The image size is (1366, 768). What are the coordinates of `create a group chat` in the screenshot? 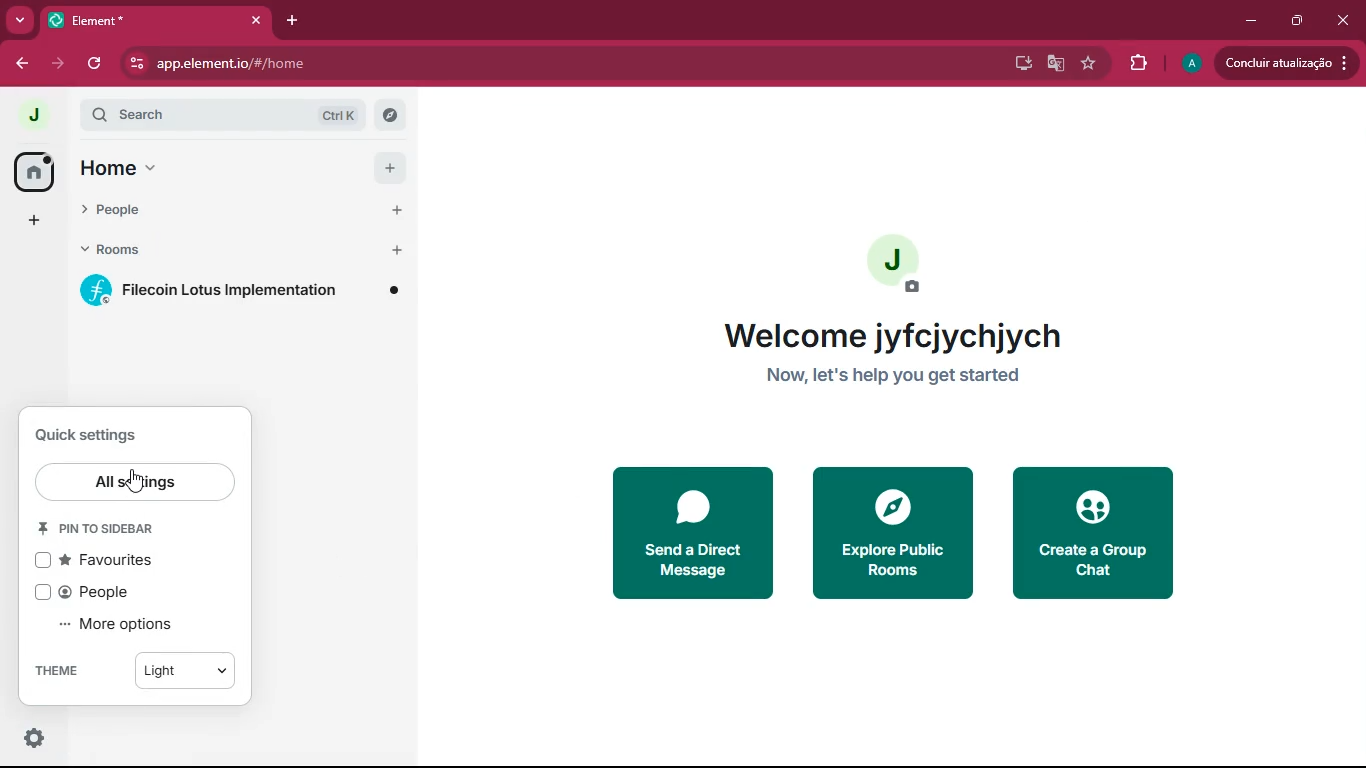 It's located at (1098, 539).